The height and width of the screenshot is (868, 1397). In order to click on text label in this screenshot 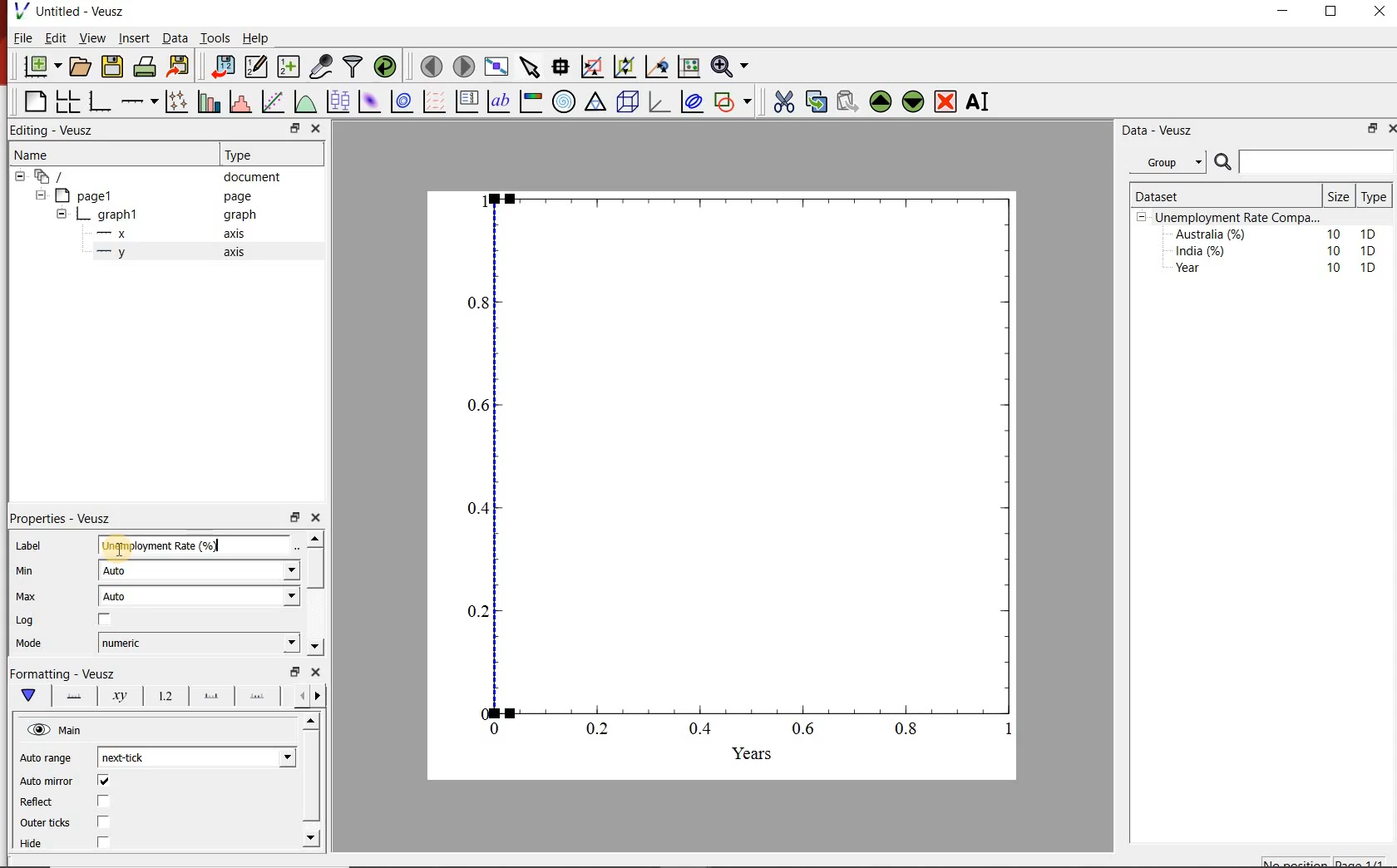, I will do `click(499, 101)`.